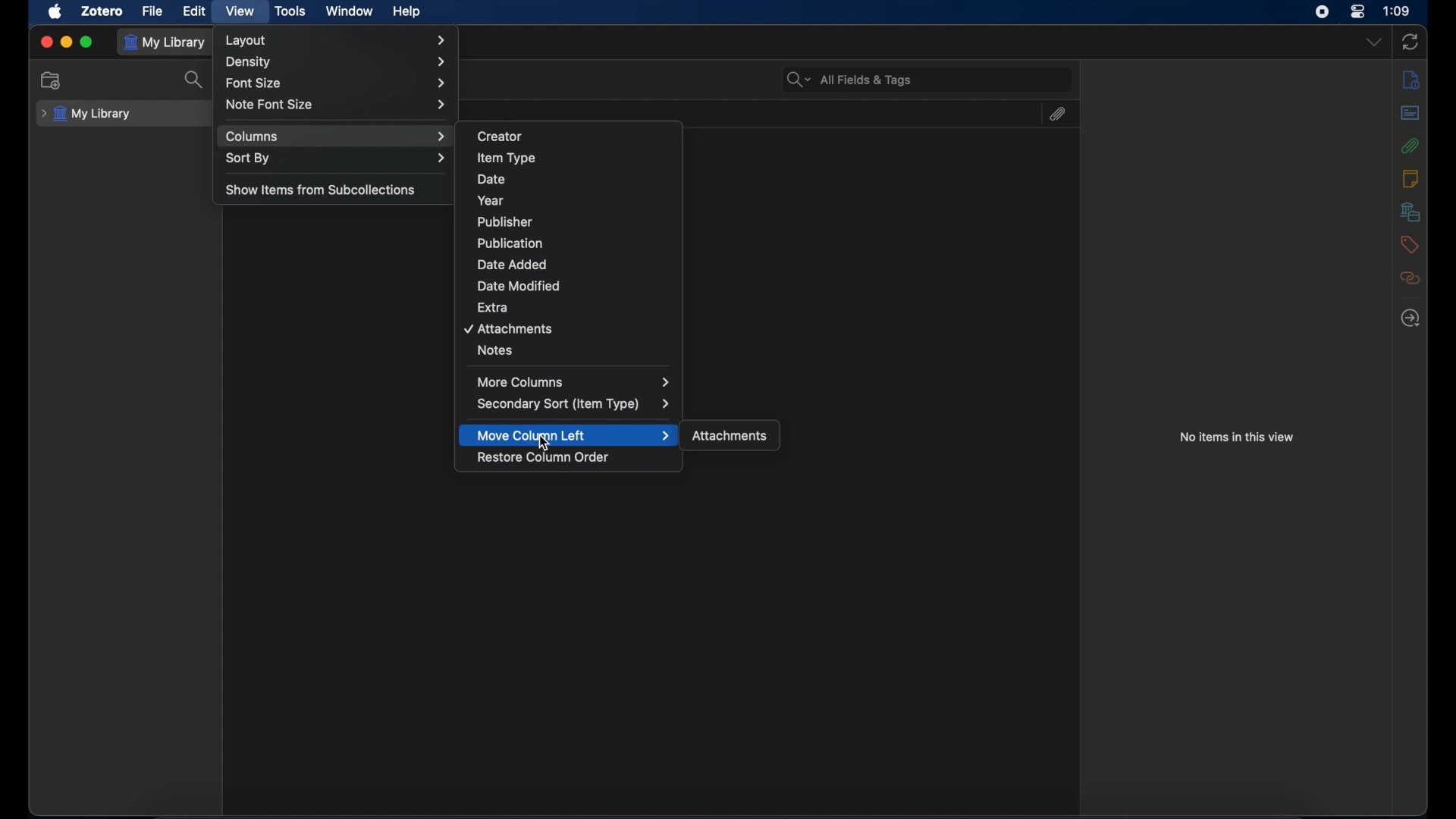  Describe the element at coordinates (102, 12) in the screenshot. I see `zotero` at that location.